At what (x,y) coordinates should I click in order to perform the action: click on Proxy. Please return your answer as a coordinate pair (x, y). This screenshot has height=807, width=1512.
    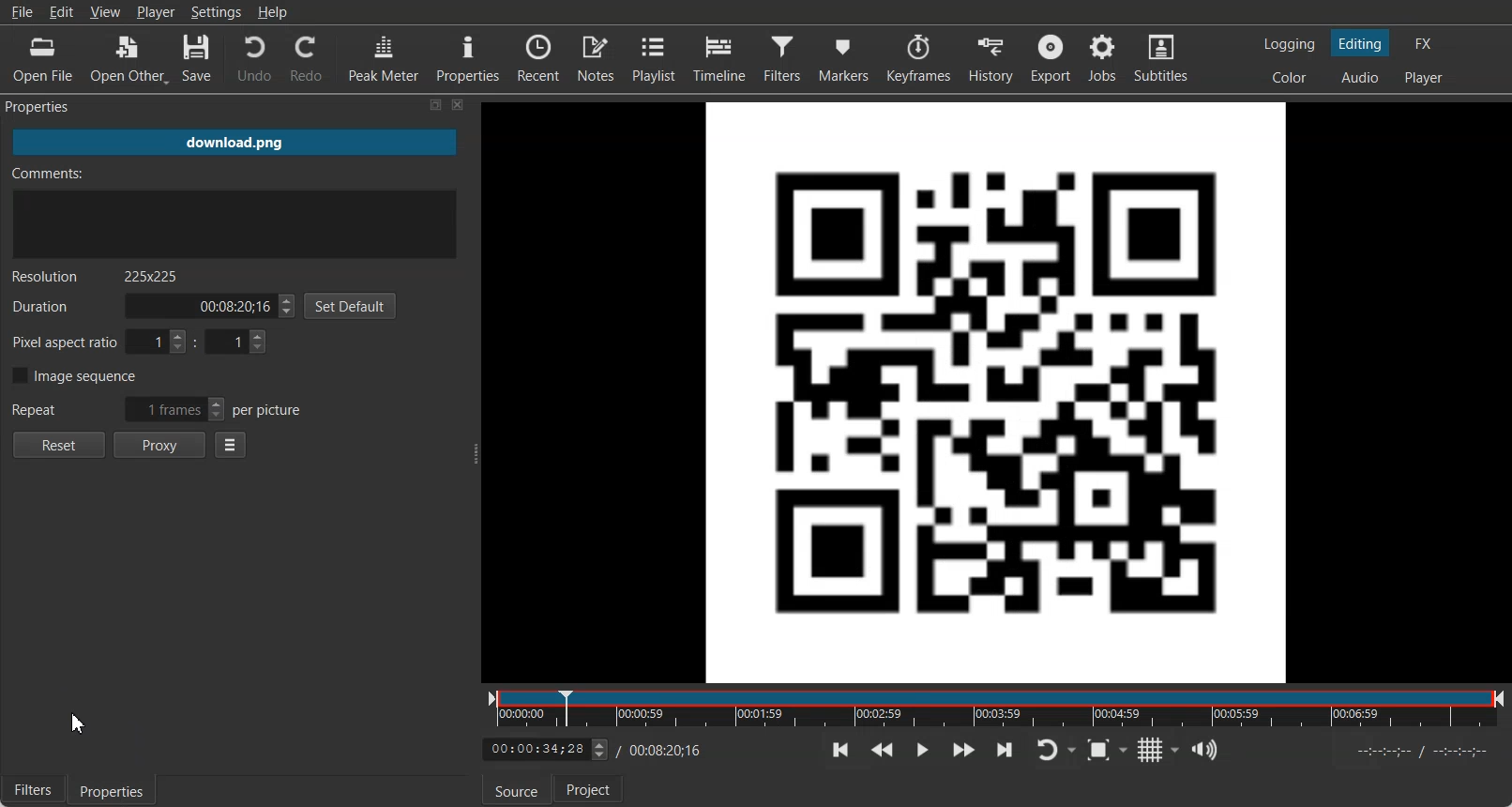
    Looking at the image, I should click on (160, 446).